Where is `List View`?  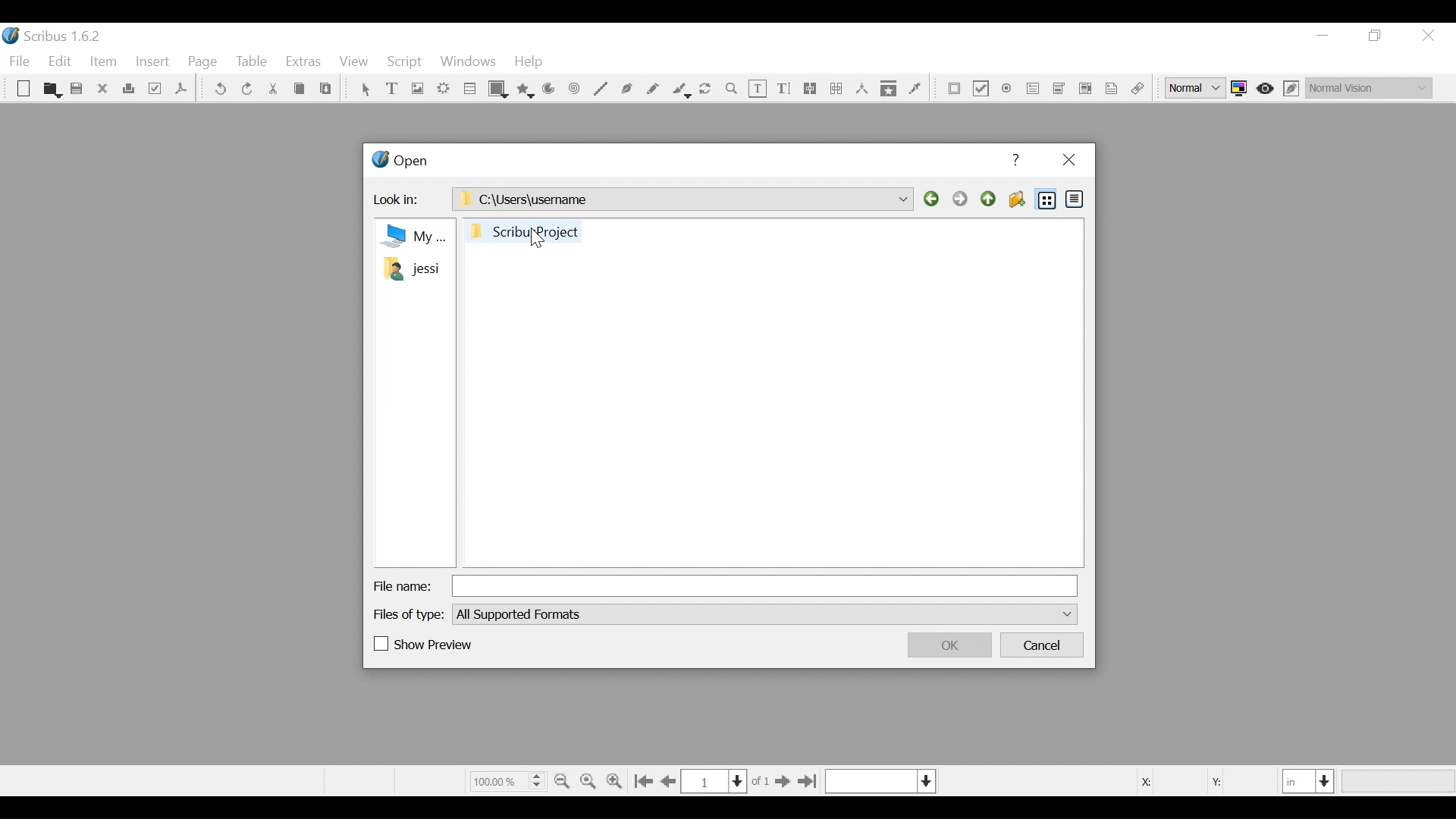 List View is located at coordinates (1047, 199).